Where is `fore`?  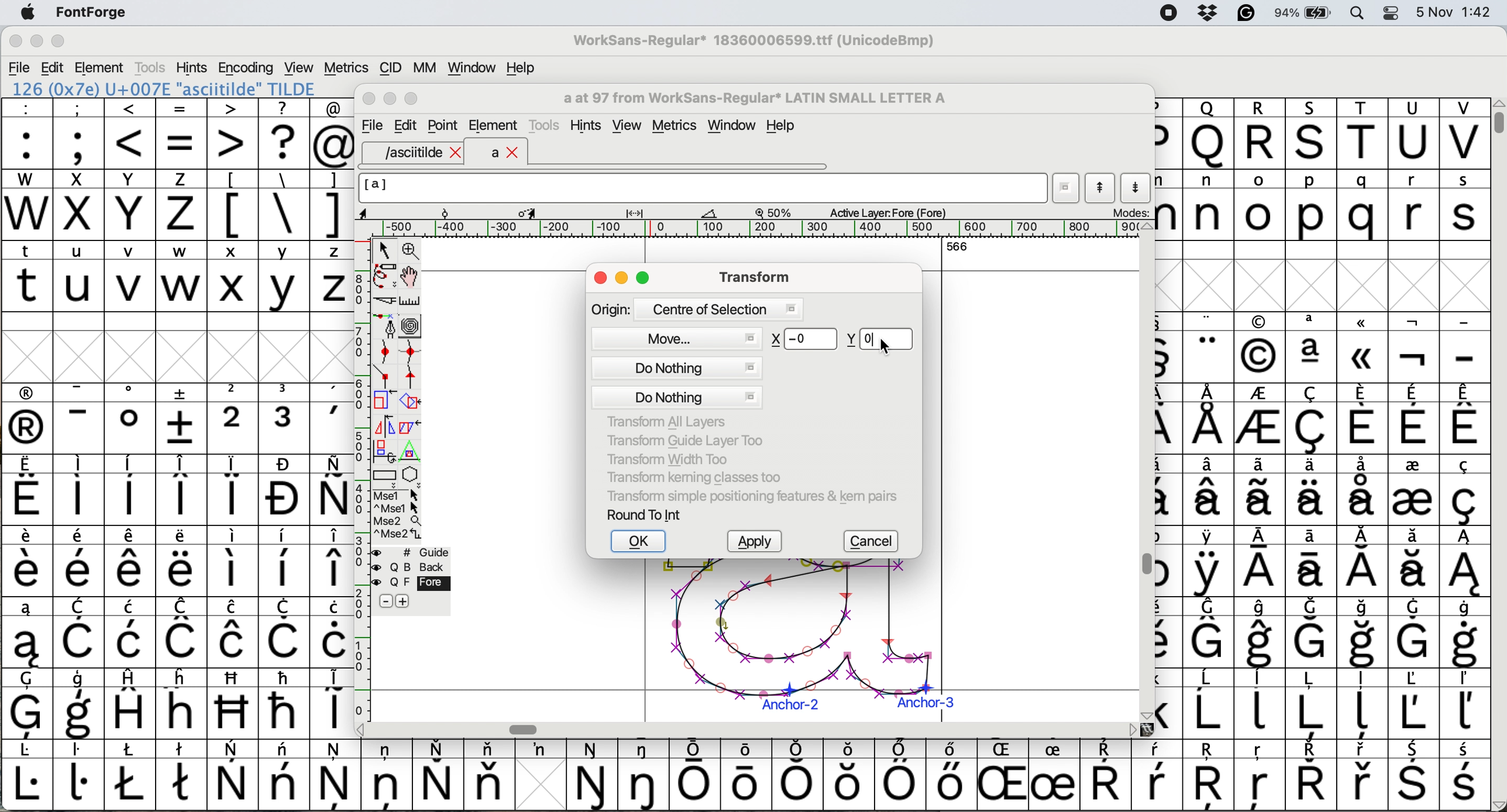 fore is located at coordinates (412, 583).